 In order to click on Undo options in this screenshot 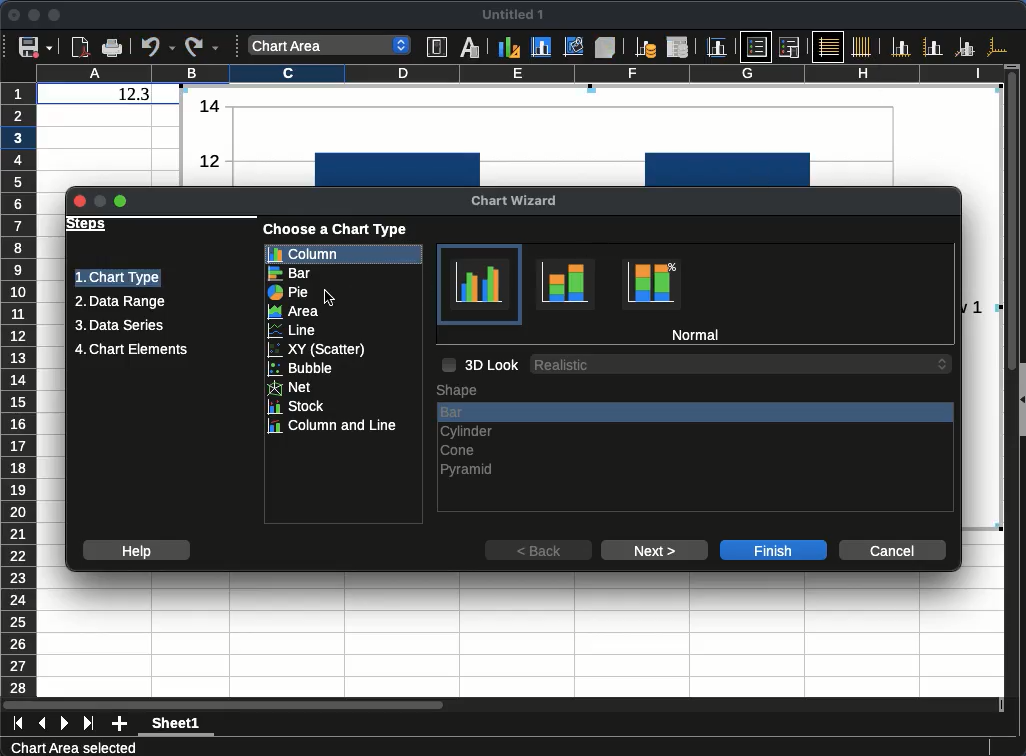, I will do `click(158, 46)`.